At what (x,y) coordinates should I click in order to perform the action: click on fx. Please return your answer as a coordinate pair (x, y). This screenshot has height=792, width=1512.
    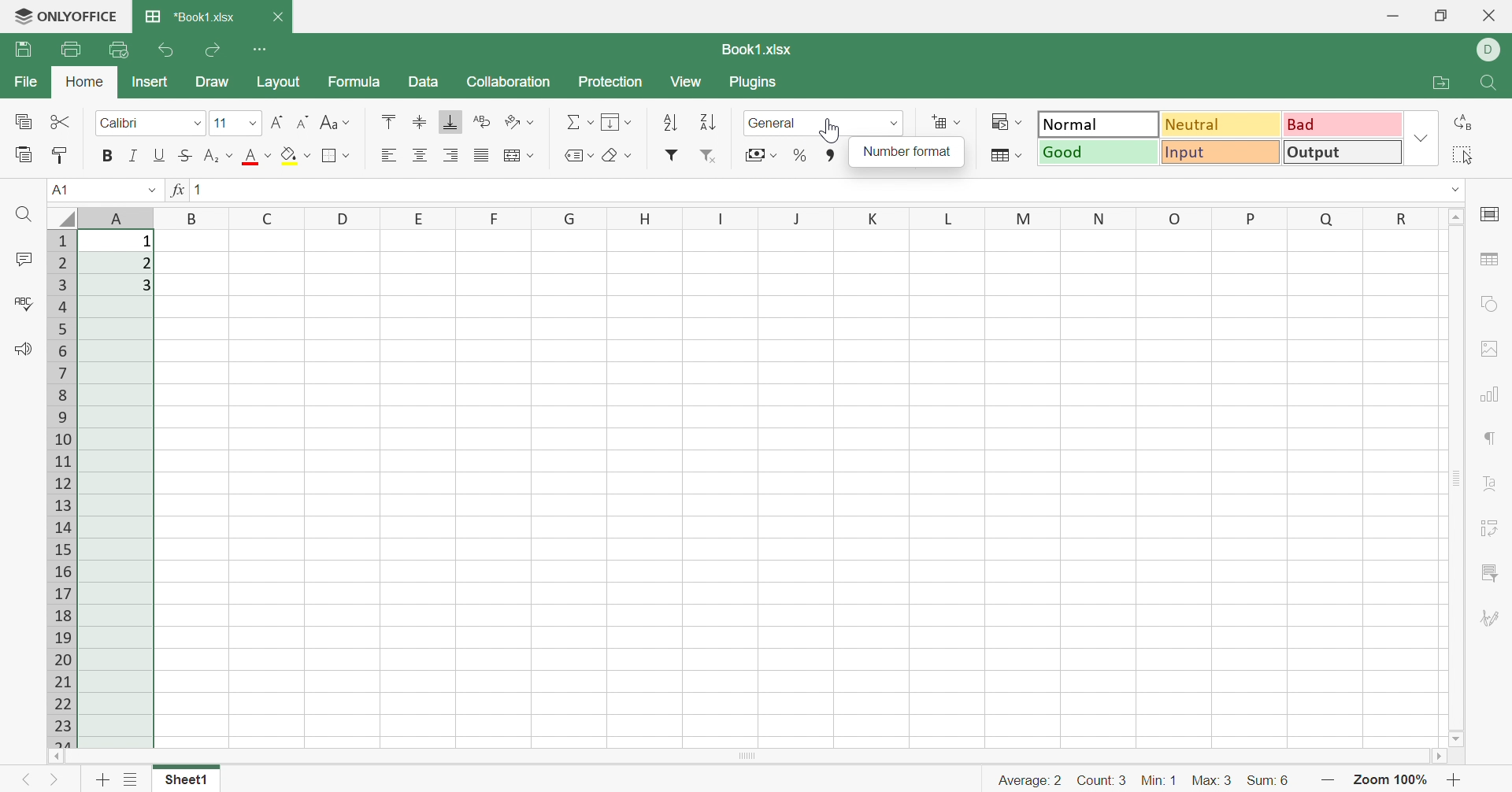
    Looking at the image, I should click on (176, 189).